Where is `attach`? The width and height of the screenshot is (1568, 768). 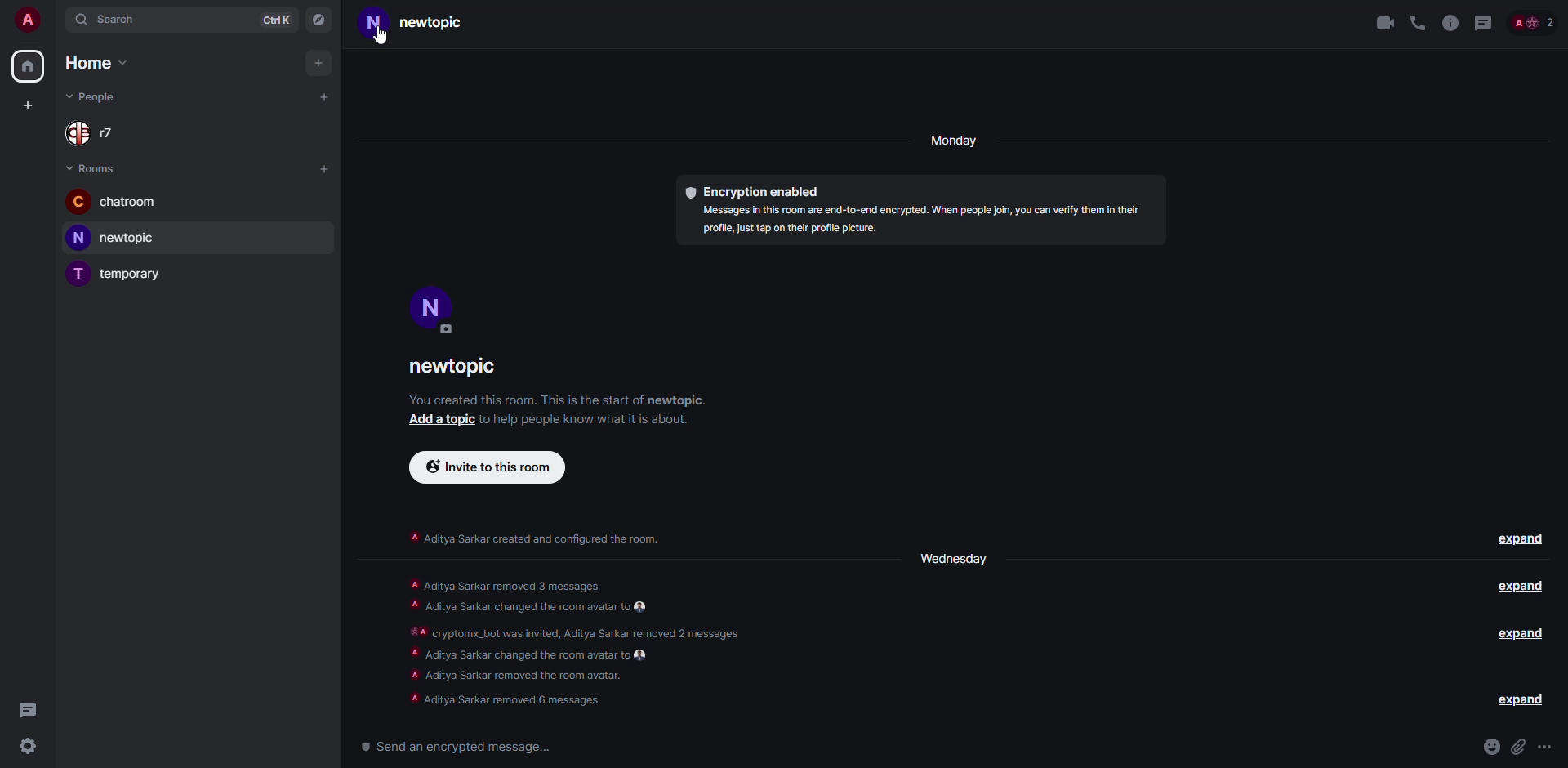
attach is located at coordinates (1519, 747).